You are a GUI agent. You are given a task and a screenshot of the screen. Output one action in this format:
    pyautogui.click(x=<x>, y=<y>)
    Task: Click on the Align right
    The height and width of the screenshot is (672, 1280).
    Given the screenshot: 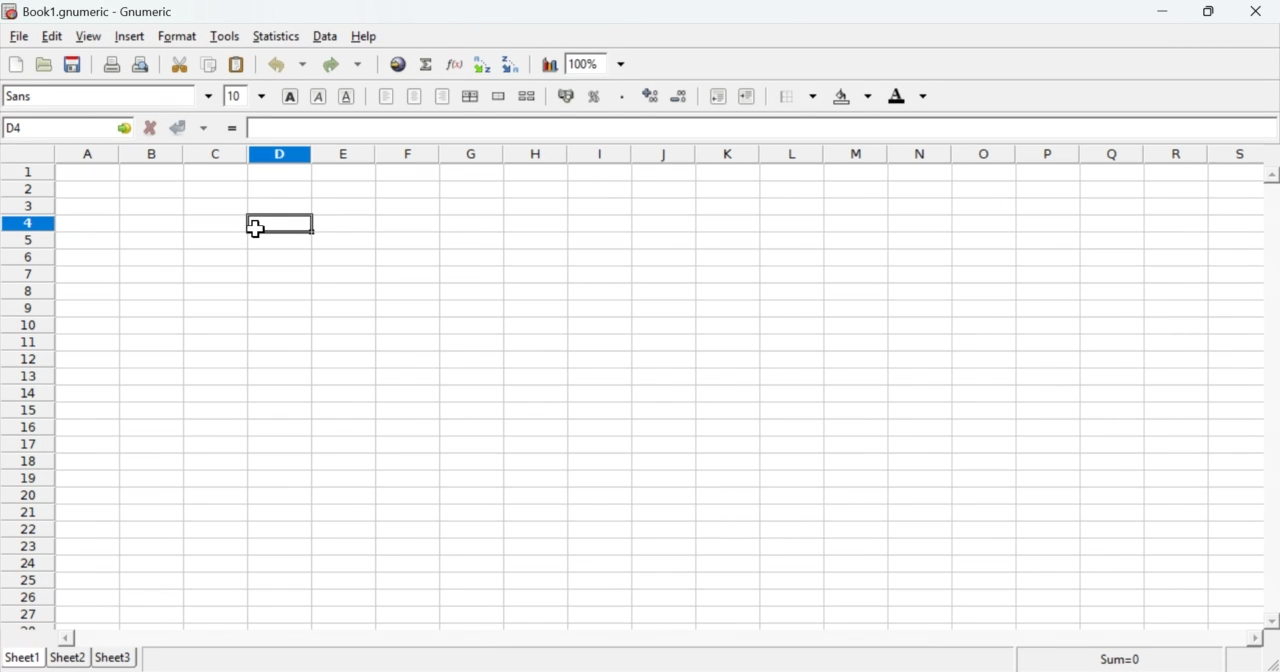 What is the action you would take?
    pyautogui.click(x=416, y=98)
    